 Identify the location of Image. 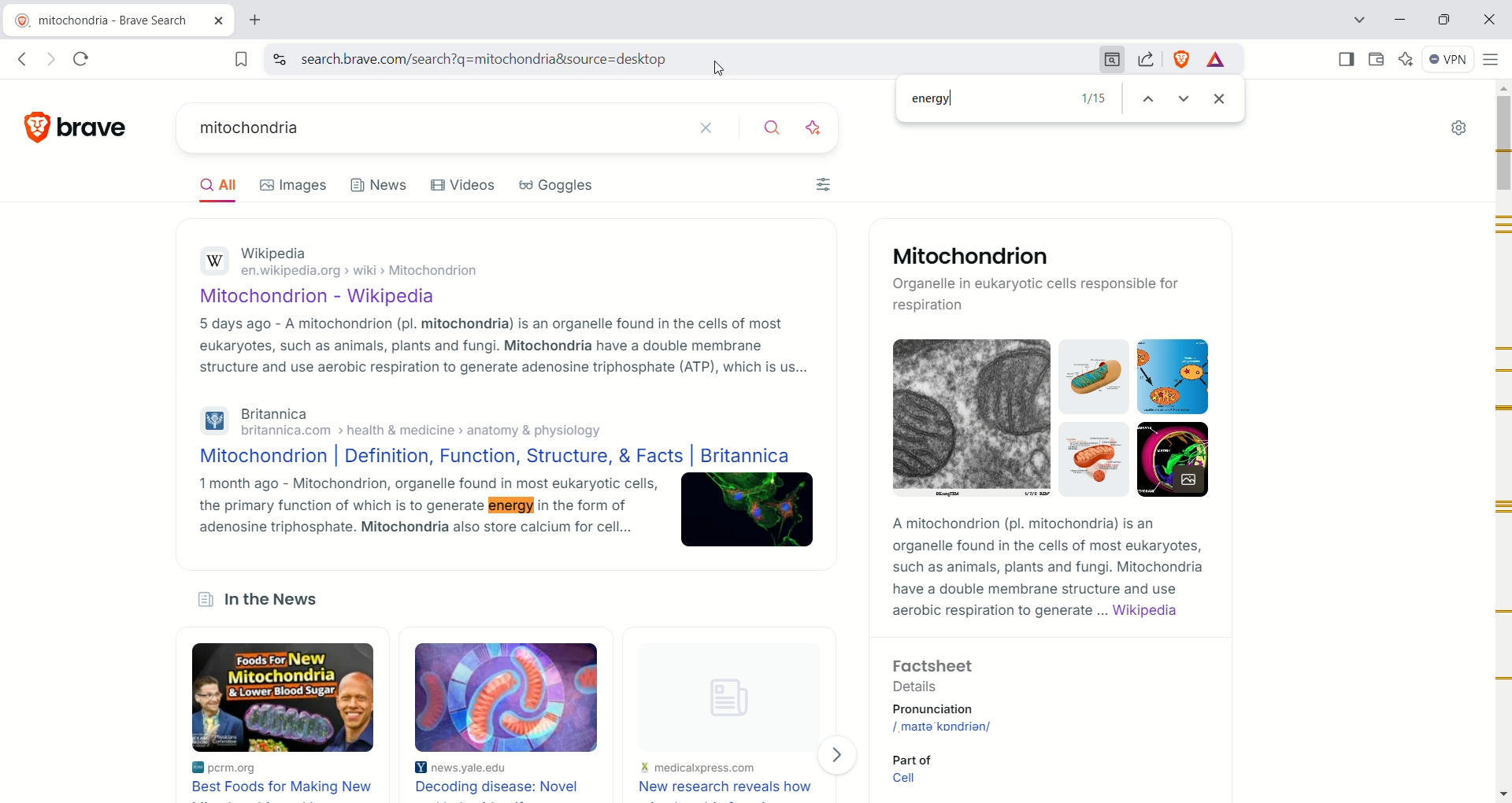
(725, 703).